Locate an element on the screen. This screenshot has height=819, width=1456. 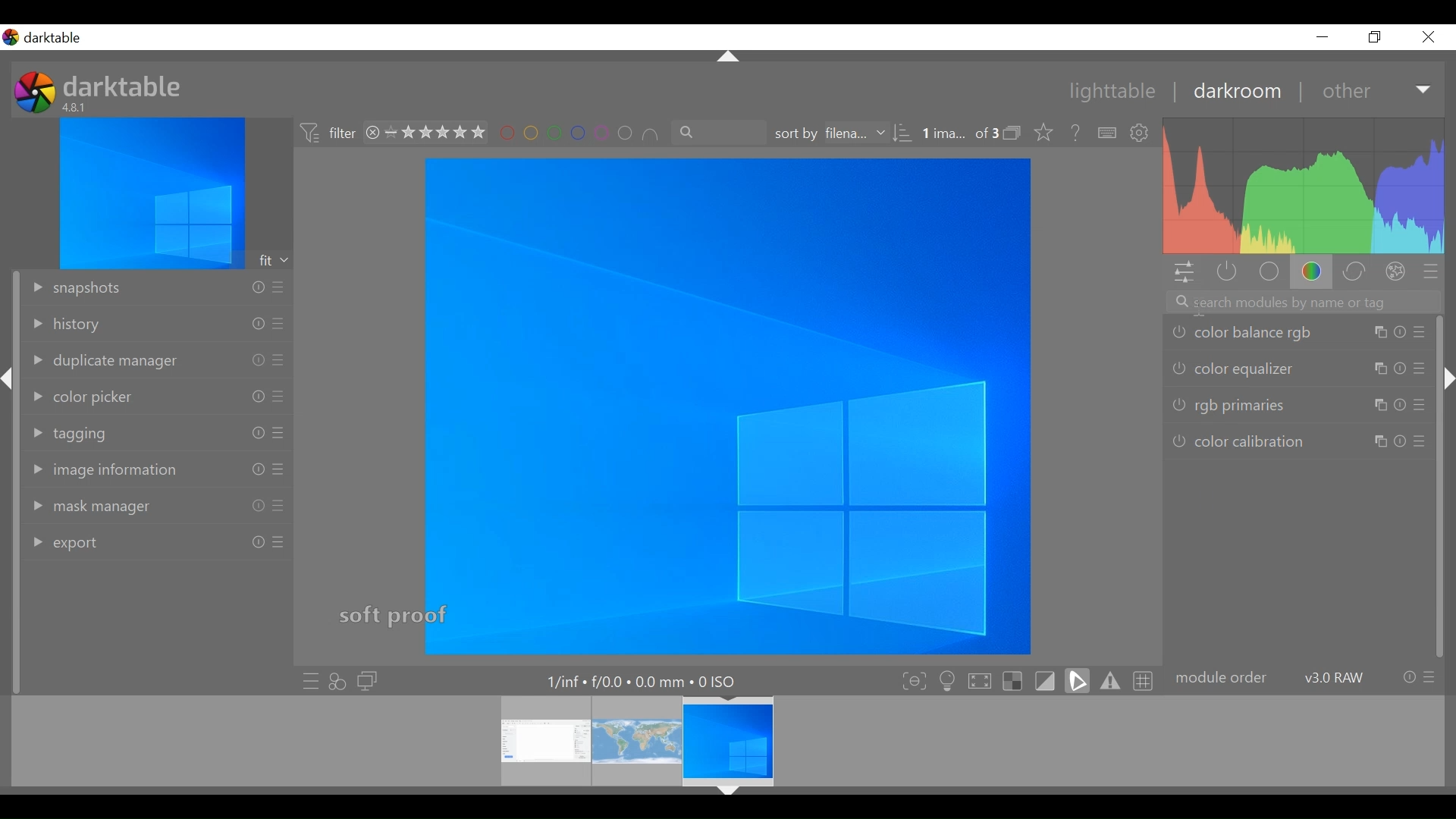
define shortcuts is located at coordinates (1109, 133).